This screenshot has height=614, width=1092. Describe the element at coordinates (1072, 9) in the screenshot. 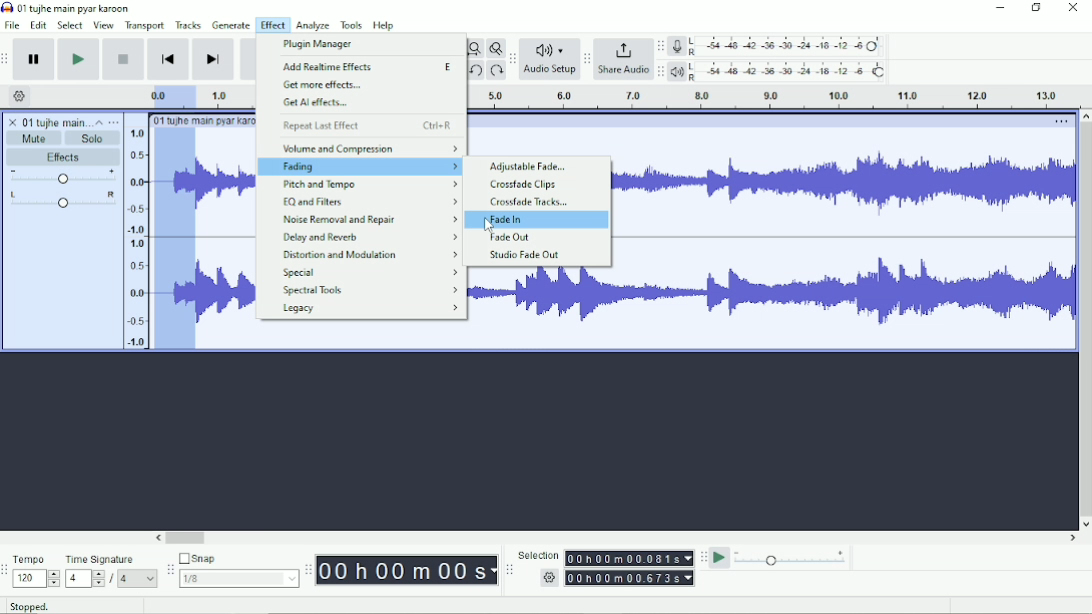

I see `Close` at that location.